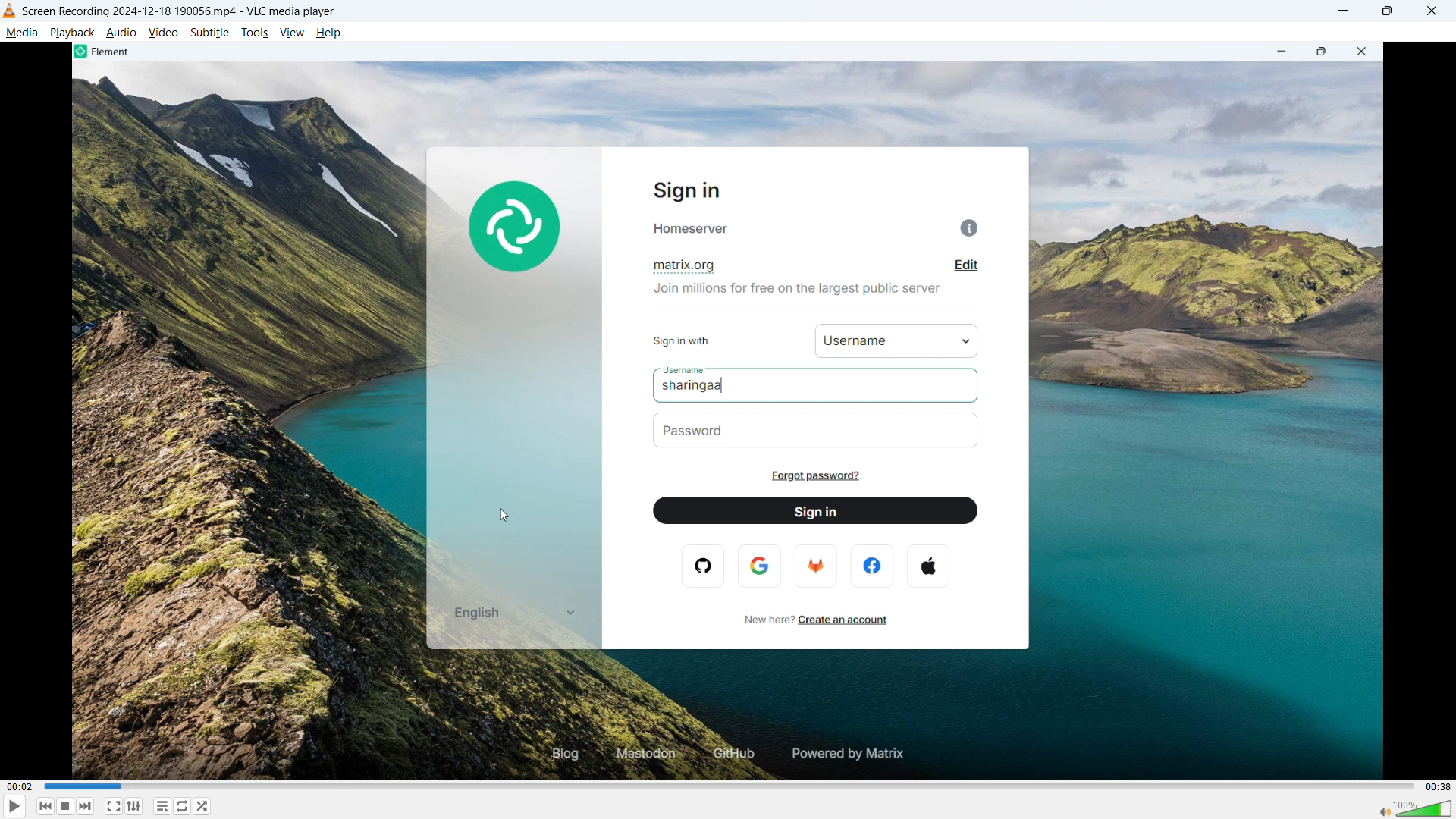 This screenshot has width=1456, height=819. I want to click on Play back , so click(72, 33).